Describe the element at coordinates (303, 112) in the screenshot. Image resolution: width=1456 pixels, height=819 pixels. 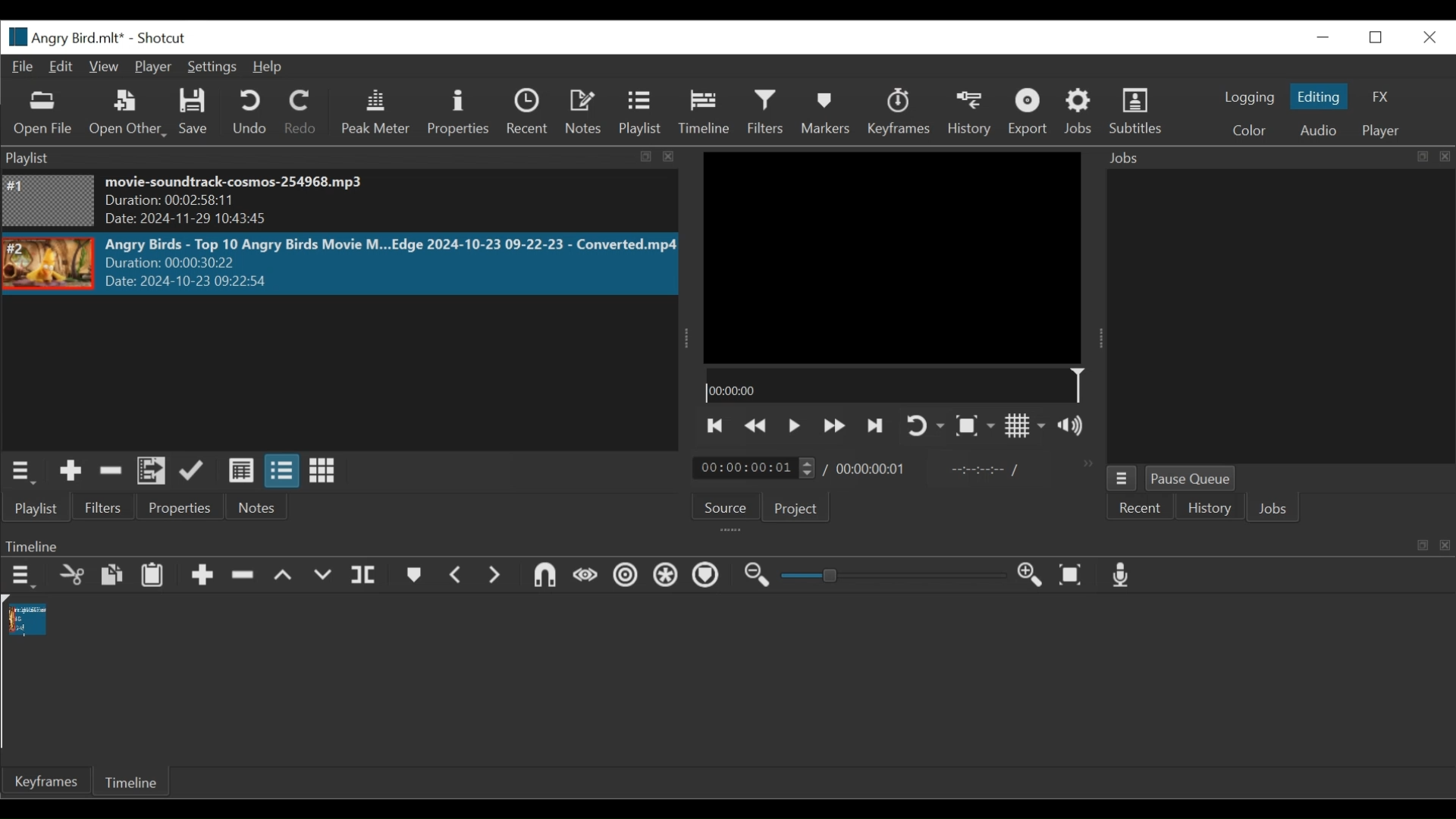
I see `Redo` at that location.